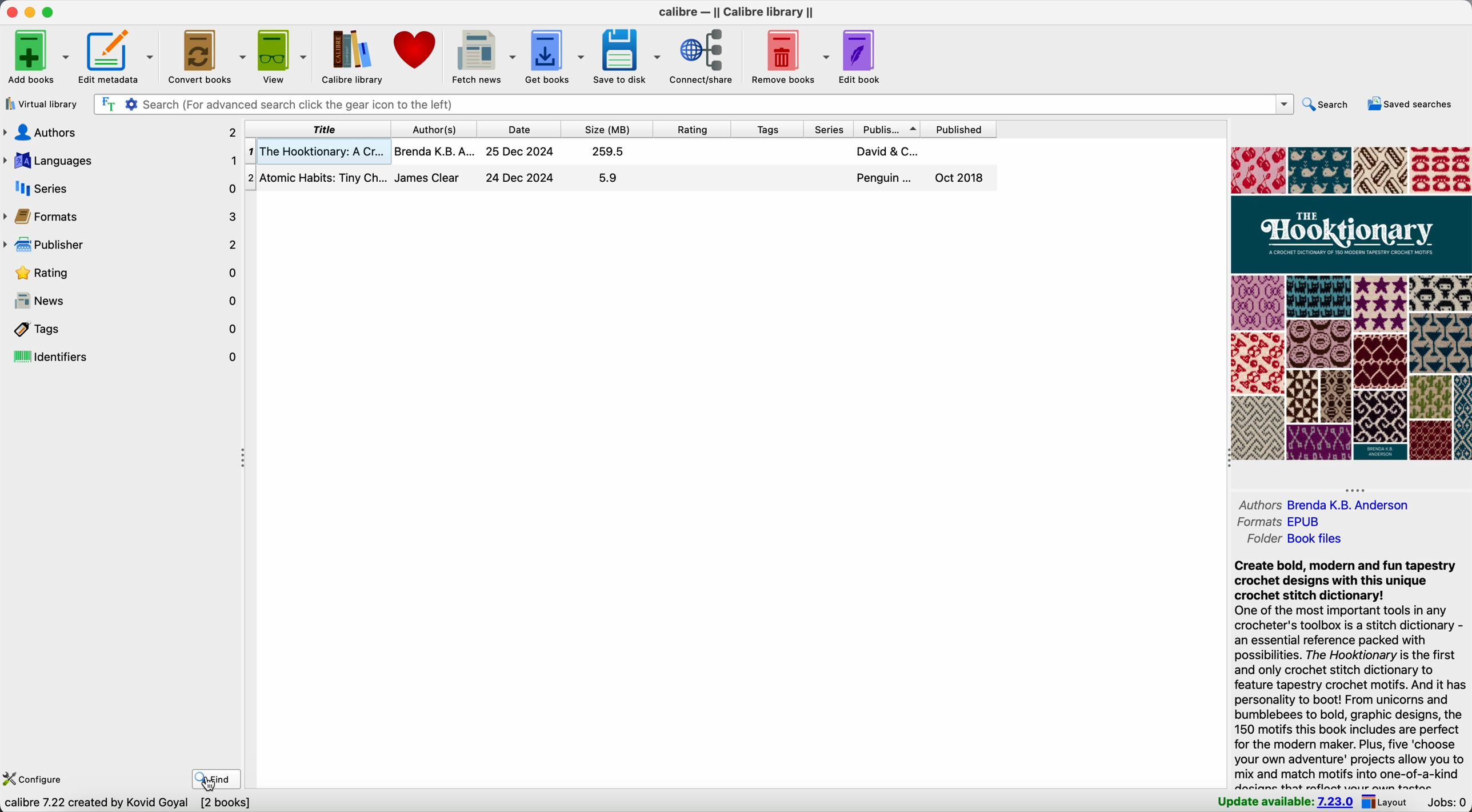  Describe the element at coordinates (122, 157) in the screenshot. I see `languages` at that location.